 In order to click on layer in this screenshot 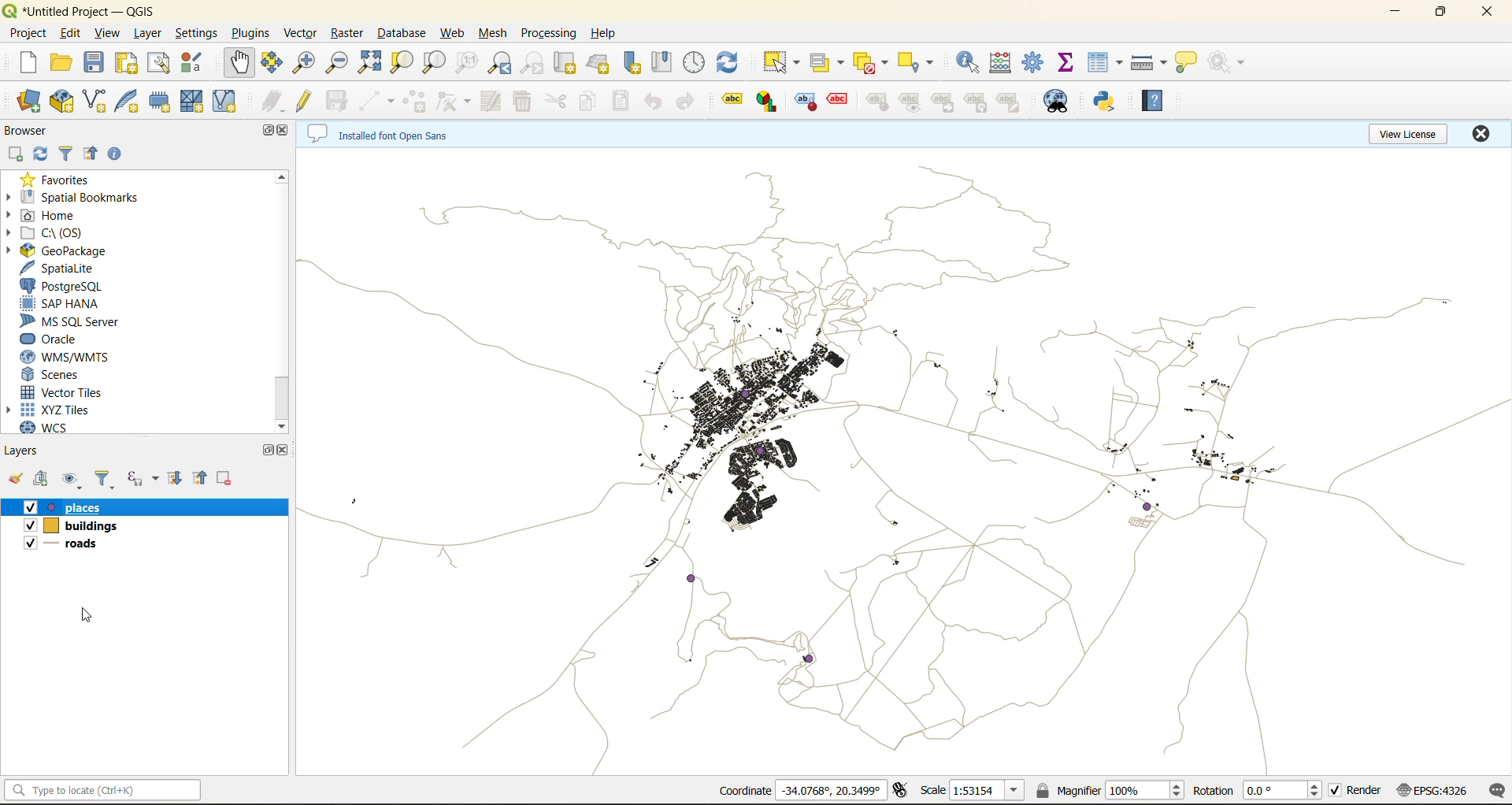, I will do `click(145, 34)`.